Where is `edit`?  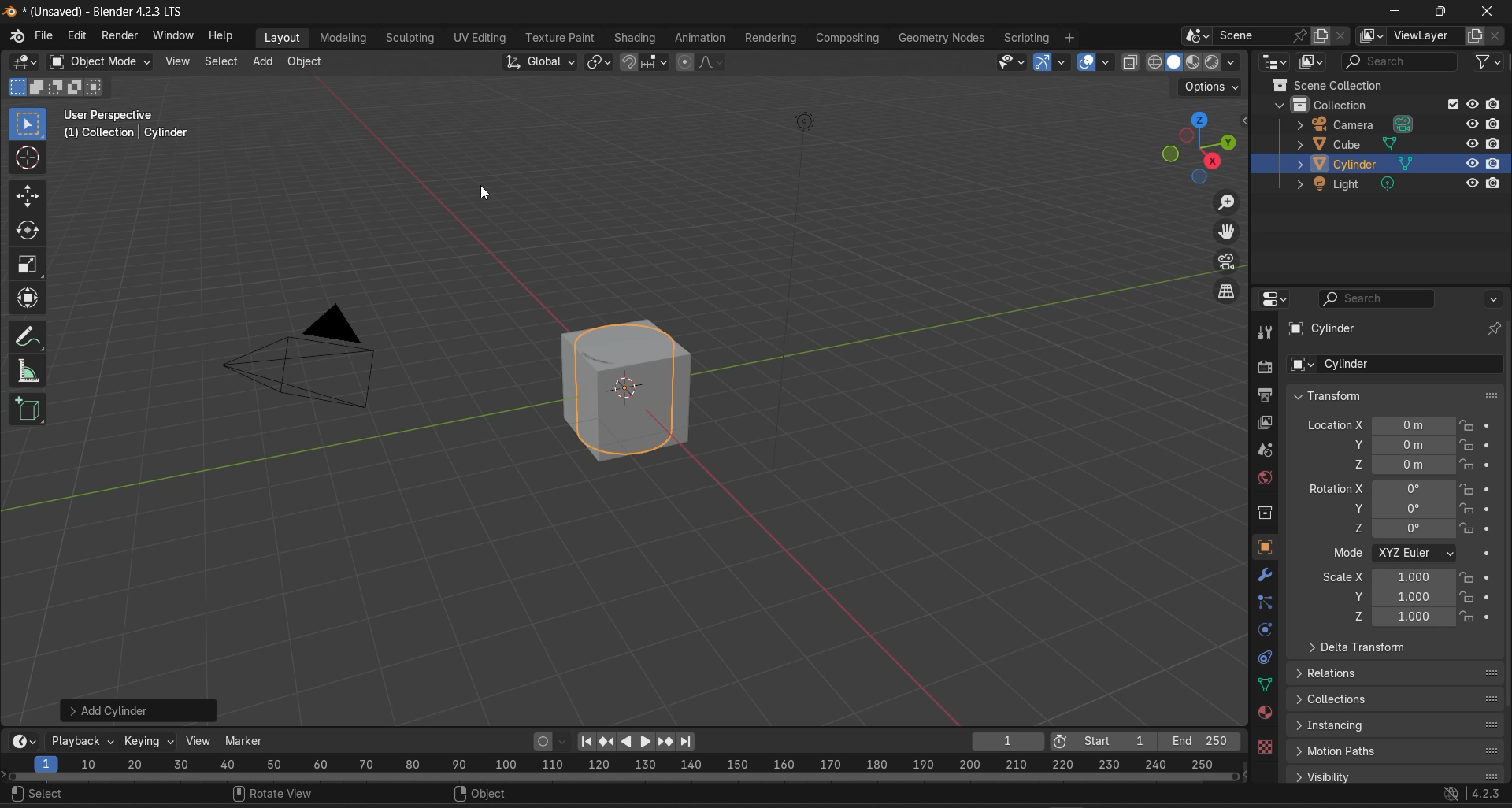 edit is located at coordinates (78, 34).